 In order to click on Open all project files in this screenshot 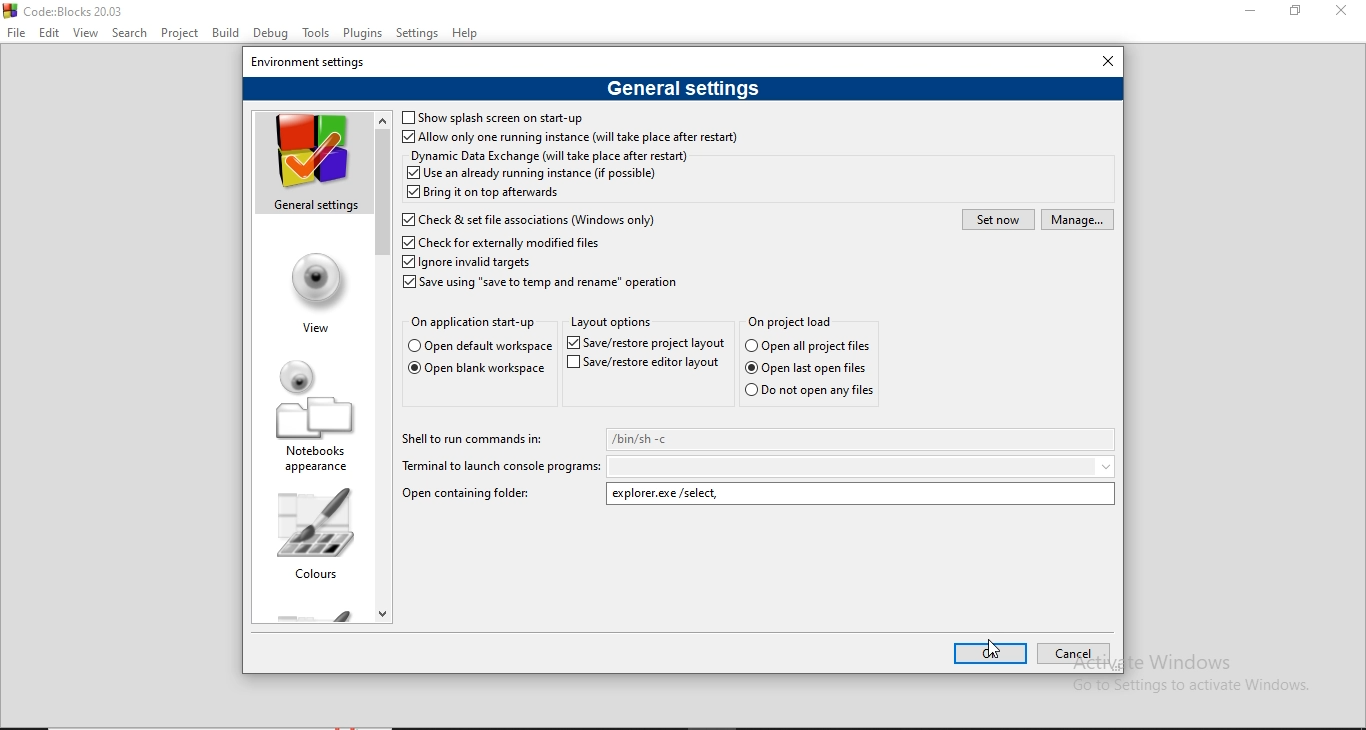, I will do `click(808, 344)`.